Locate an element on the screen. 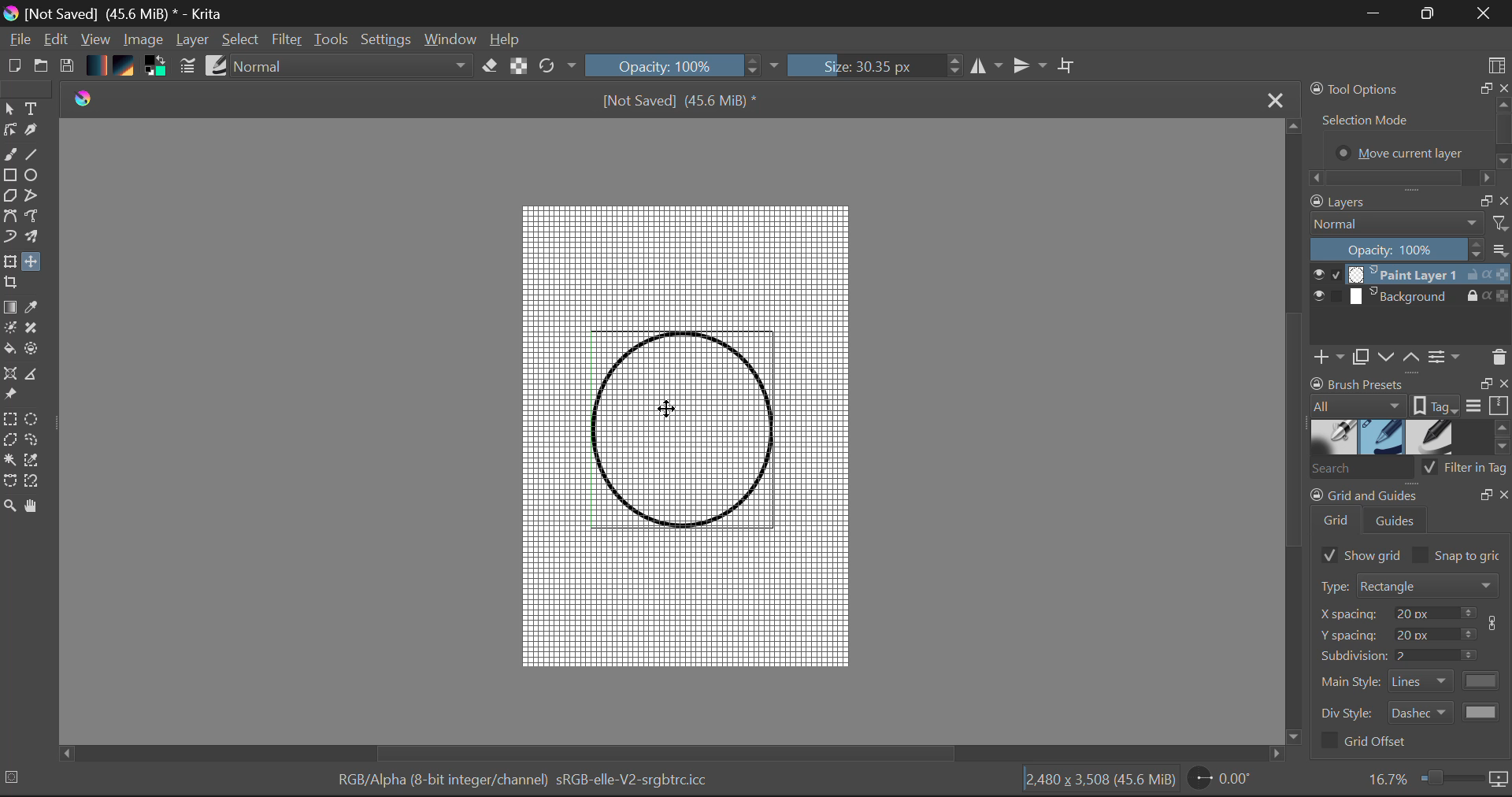 This screenshot has width=1512, height=797. File Name & Size is located at coordinates (680, 99).